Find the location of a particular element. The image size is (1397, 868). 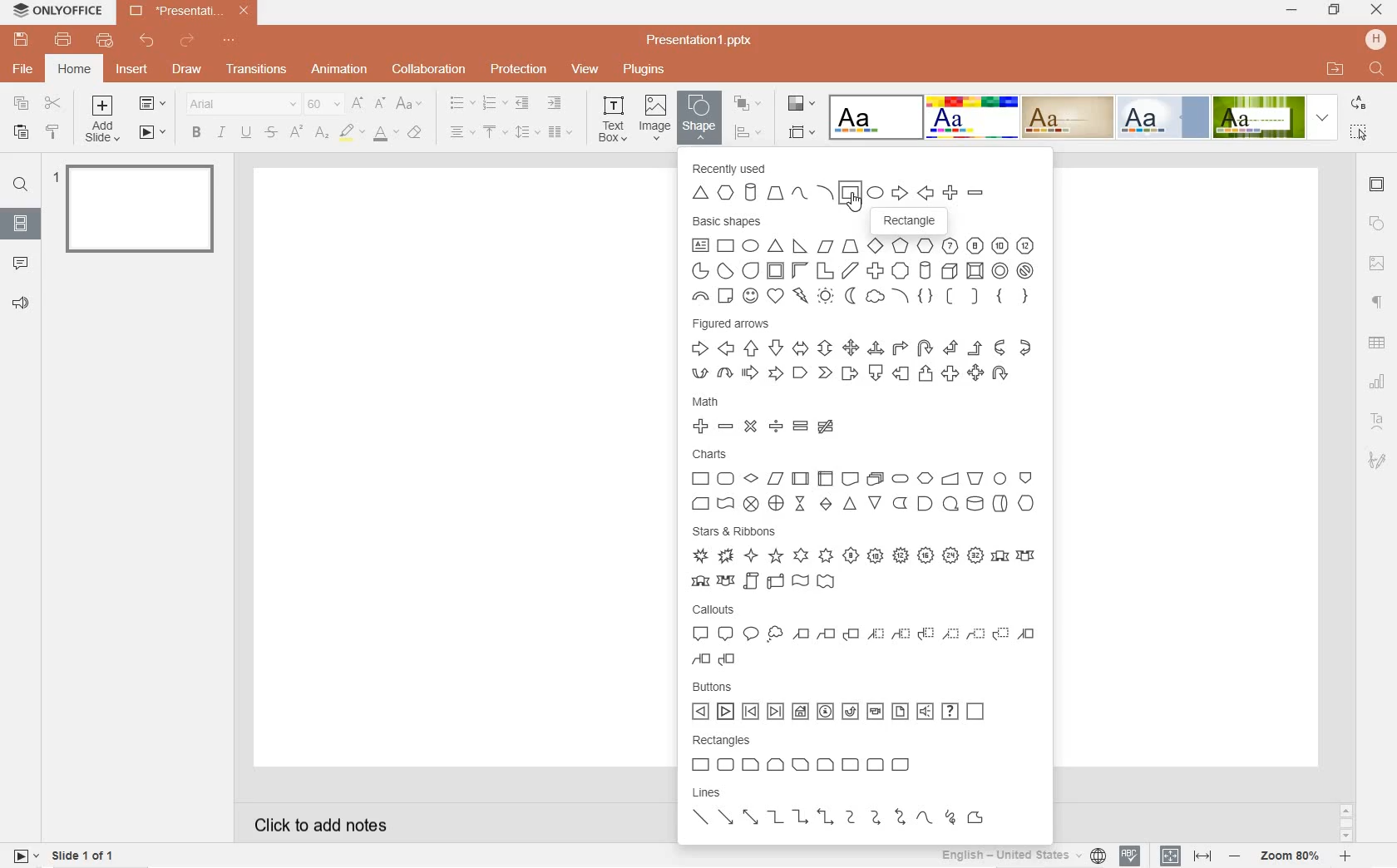

draw is located at coordinates (186, 67).